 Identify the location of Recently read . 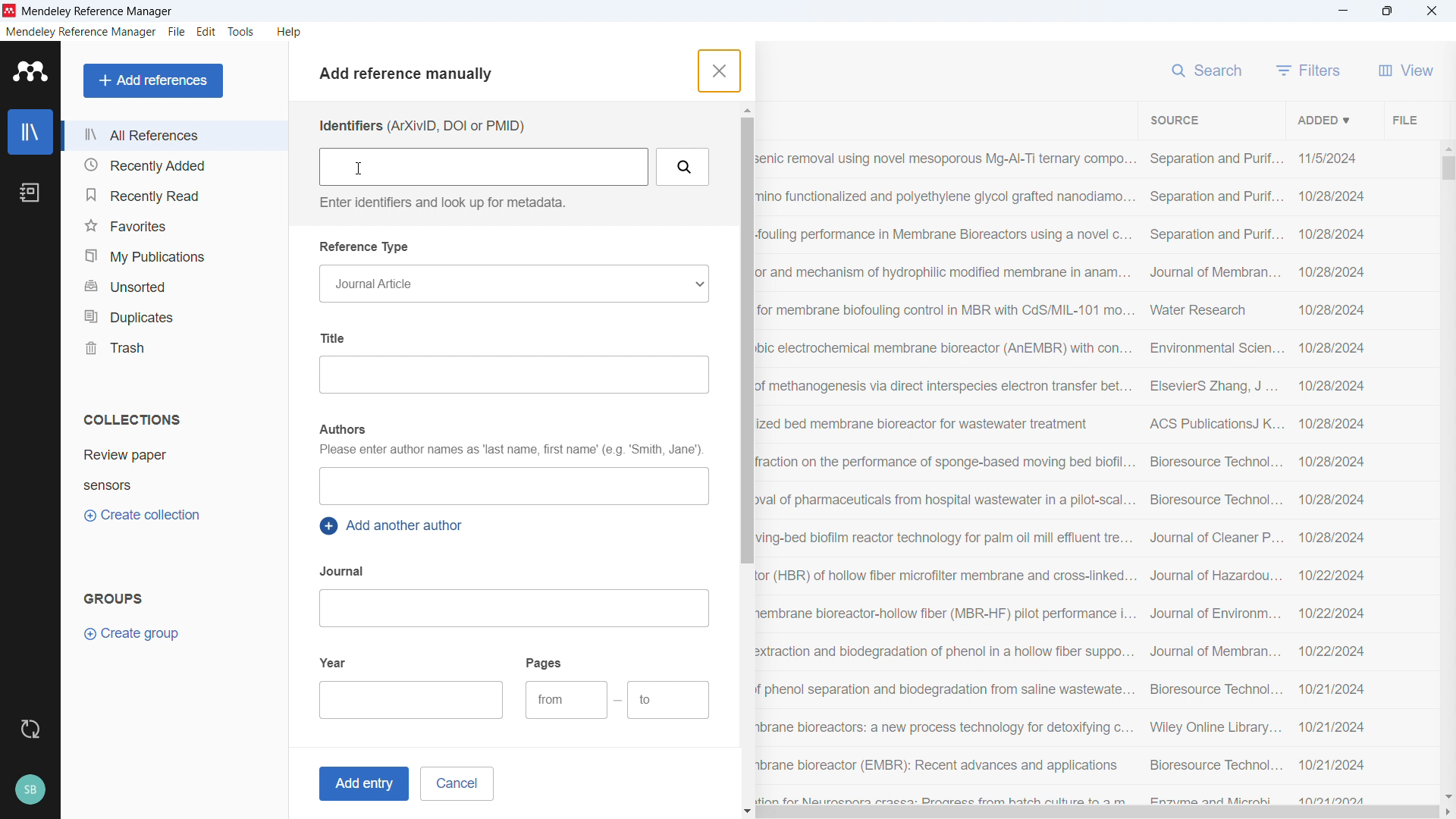
(172, 195).